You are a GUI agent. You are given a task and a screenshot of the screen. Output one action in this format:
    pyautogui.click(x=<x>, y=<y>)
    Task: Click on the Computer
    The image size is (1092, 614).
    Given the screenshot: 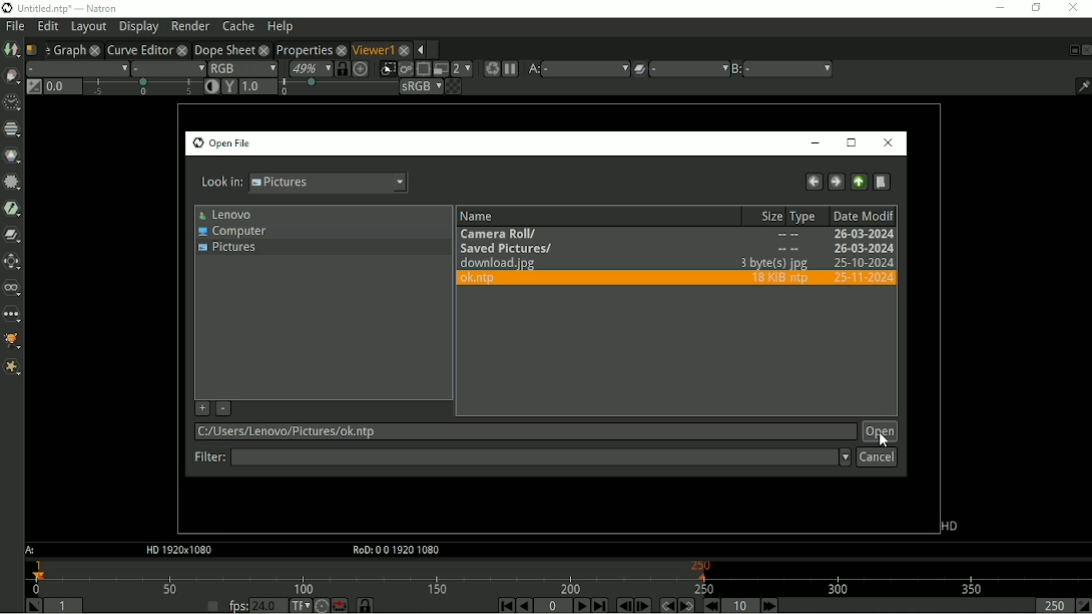 What is the action you would take?
    pyautogui.click(x=233, y=232)
    